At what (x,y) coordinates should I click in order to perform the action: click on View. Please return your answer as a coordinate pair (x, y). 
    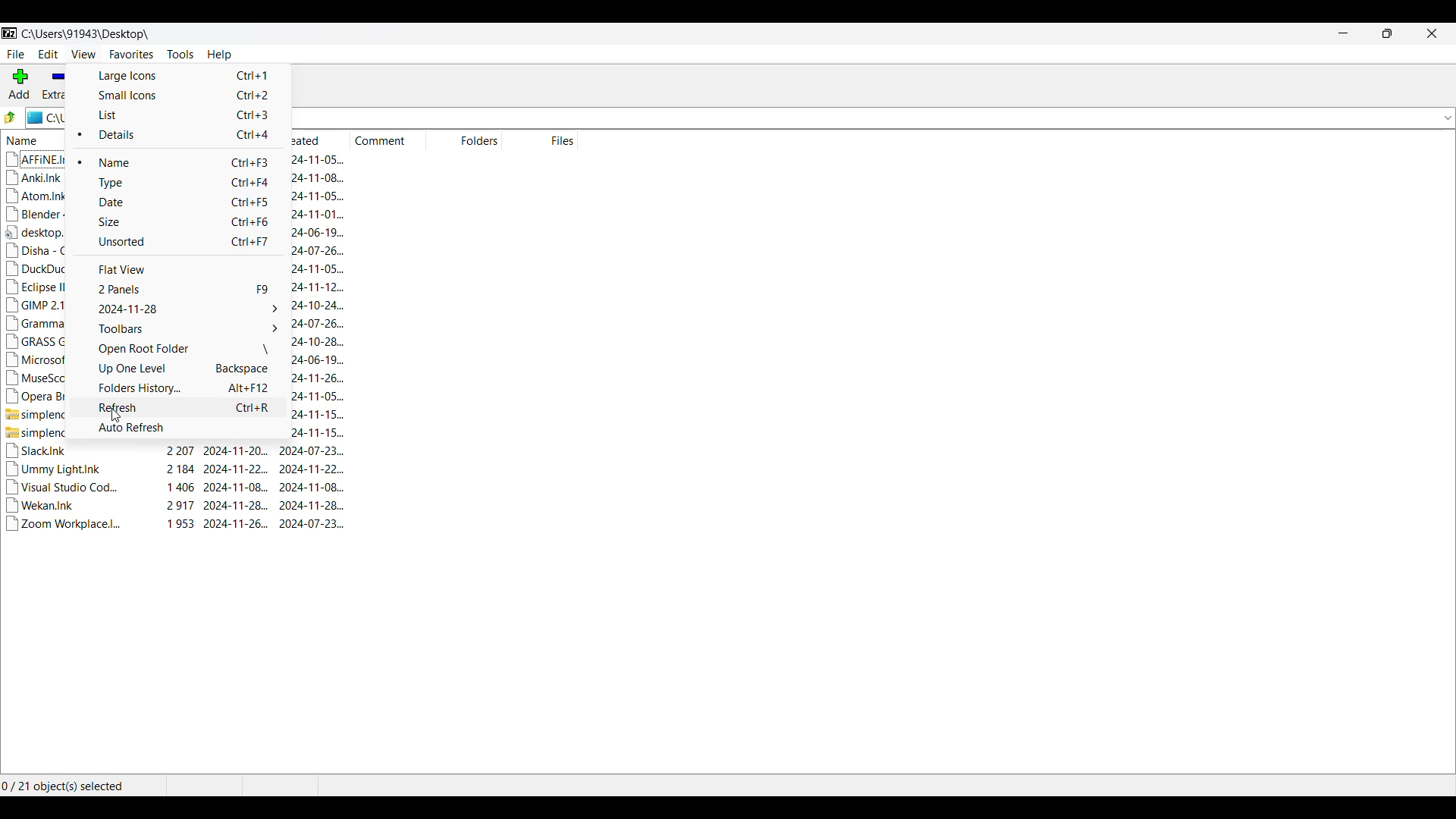
    Looking at the image, I should click on (84, 54).